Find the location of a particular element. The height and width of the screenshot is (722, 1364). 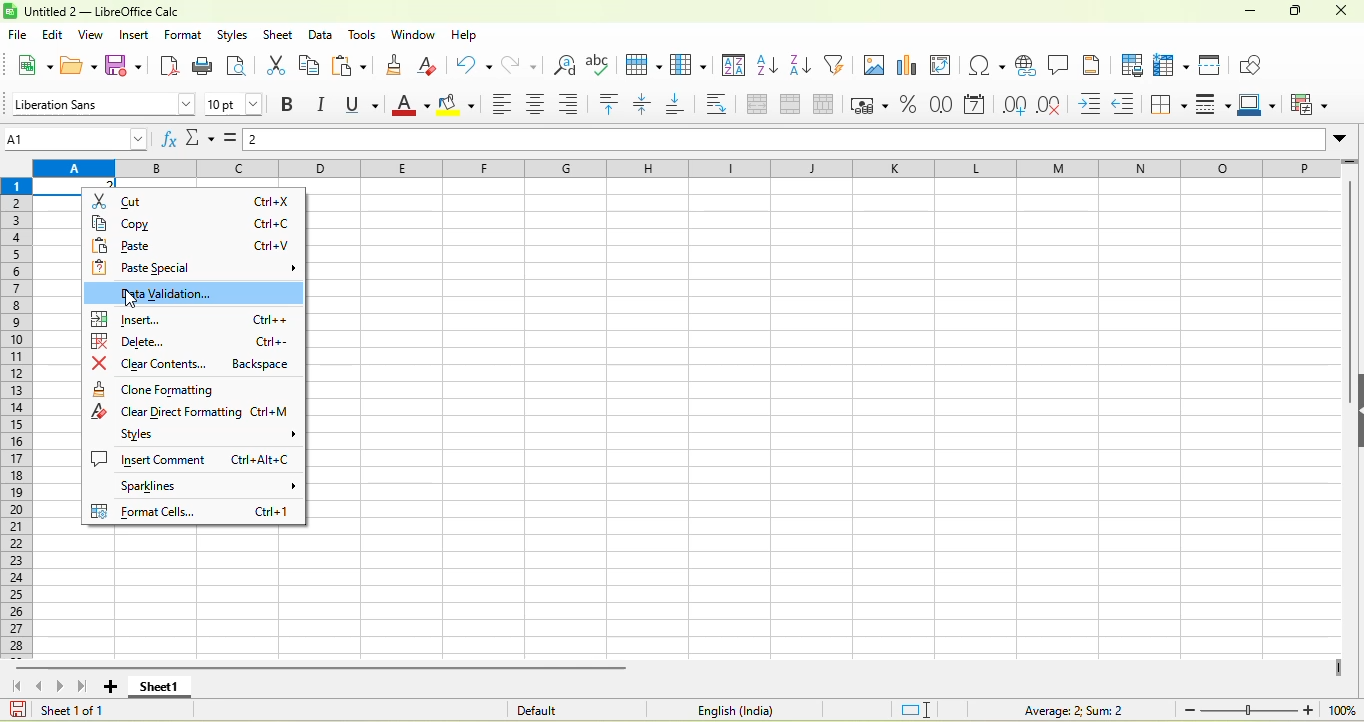

border style is located at coordinates (1217, 105).